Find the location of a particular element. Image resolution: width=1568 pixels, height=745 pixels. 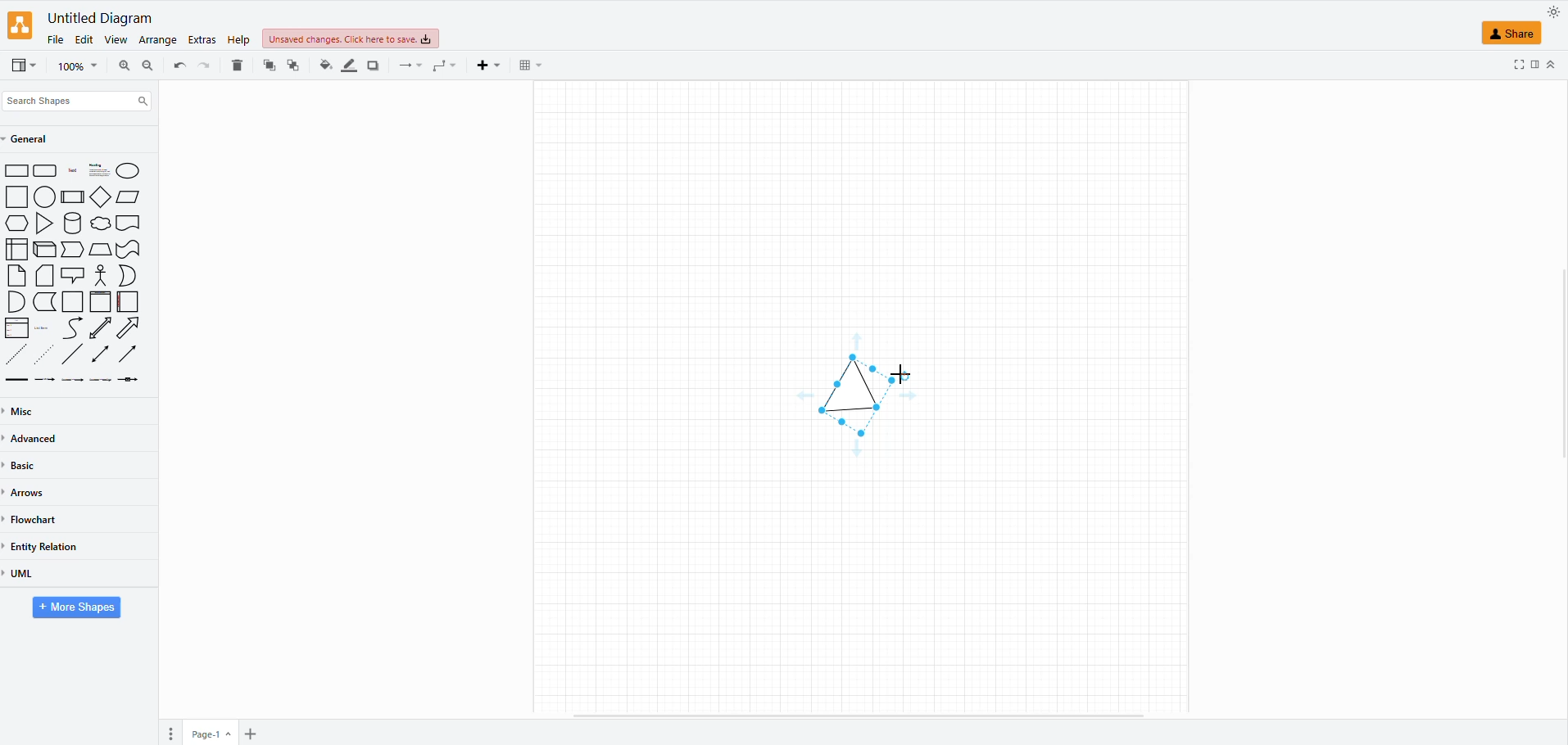

Forward is located at coordinates (73, 249).